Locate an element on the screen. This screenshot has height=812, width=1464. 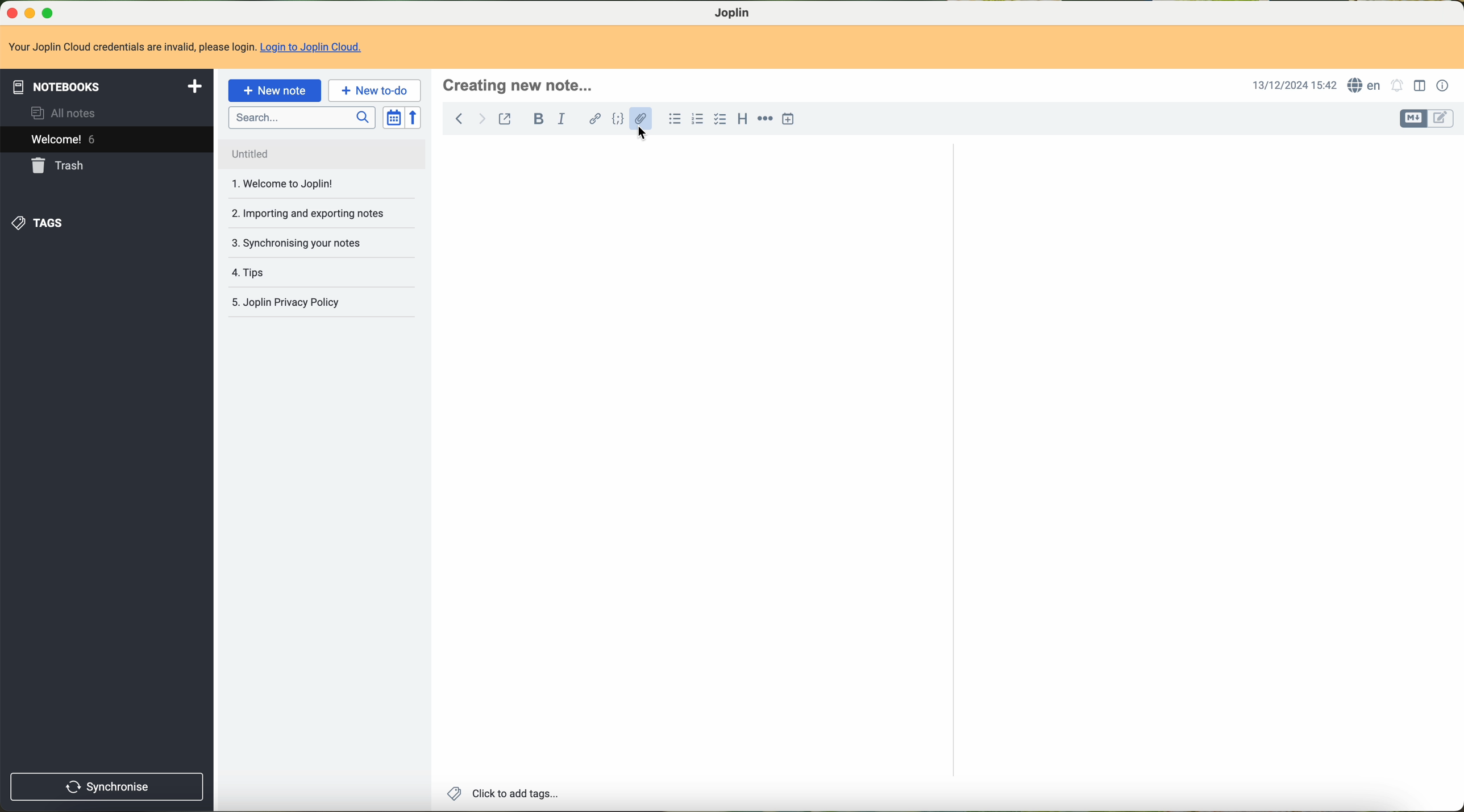
heading is located at coordinates (743, 120).